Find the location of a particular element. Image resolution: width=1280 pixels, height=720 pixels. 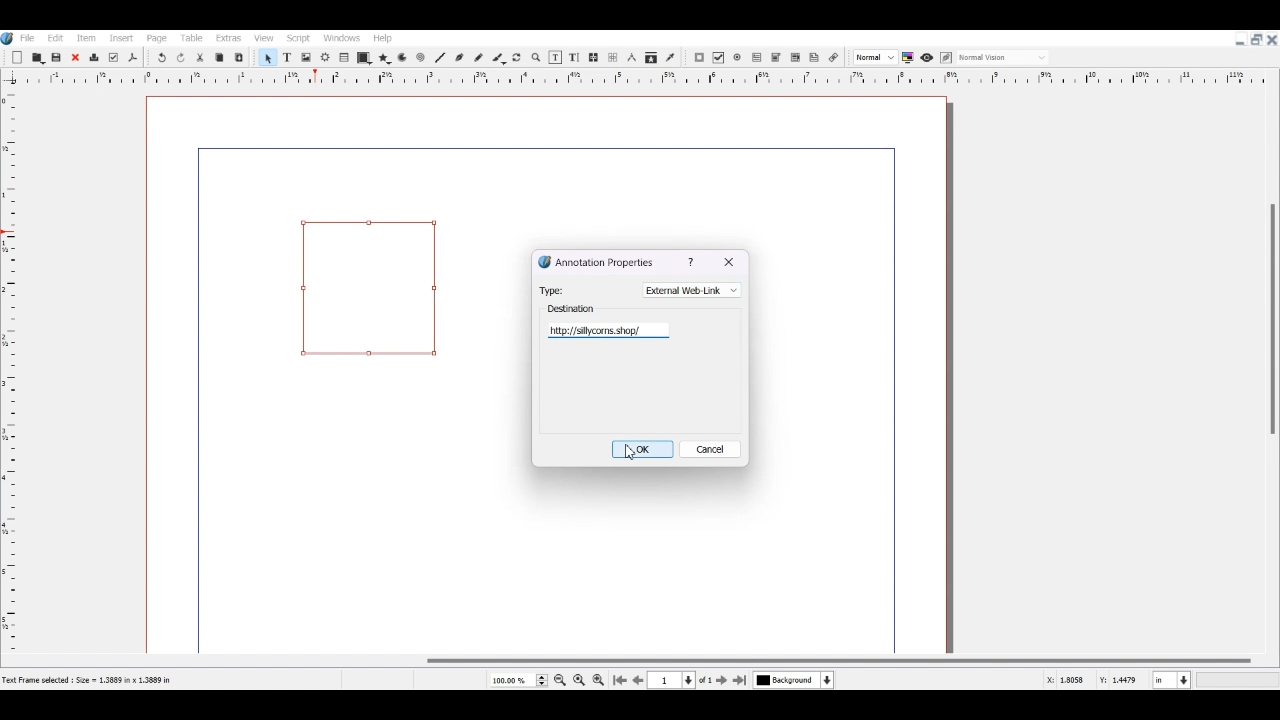

Table is located at coordinates (345, 58).